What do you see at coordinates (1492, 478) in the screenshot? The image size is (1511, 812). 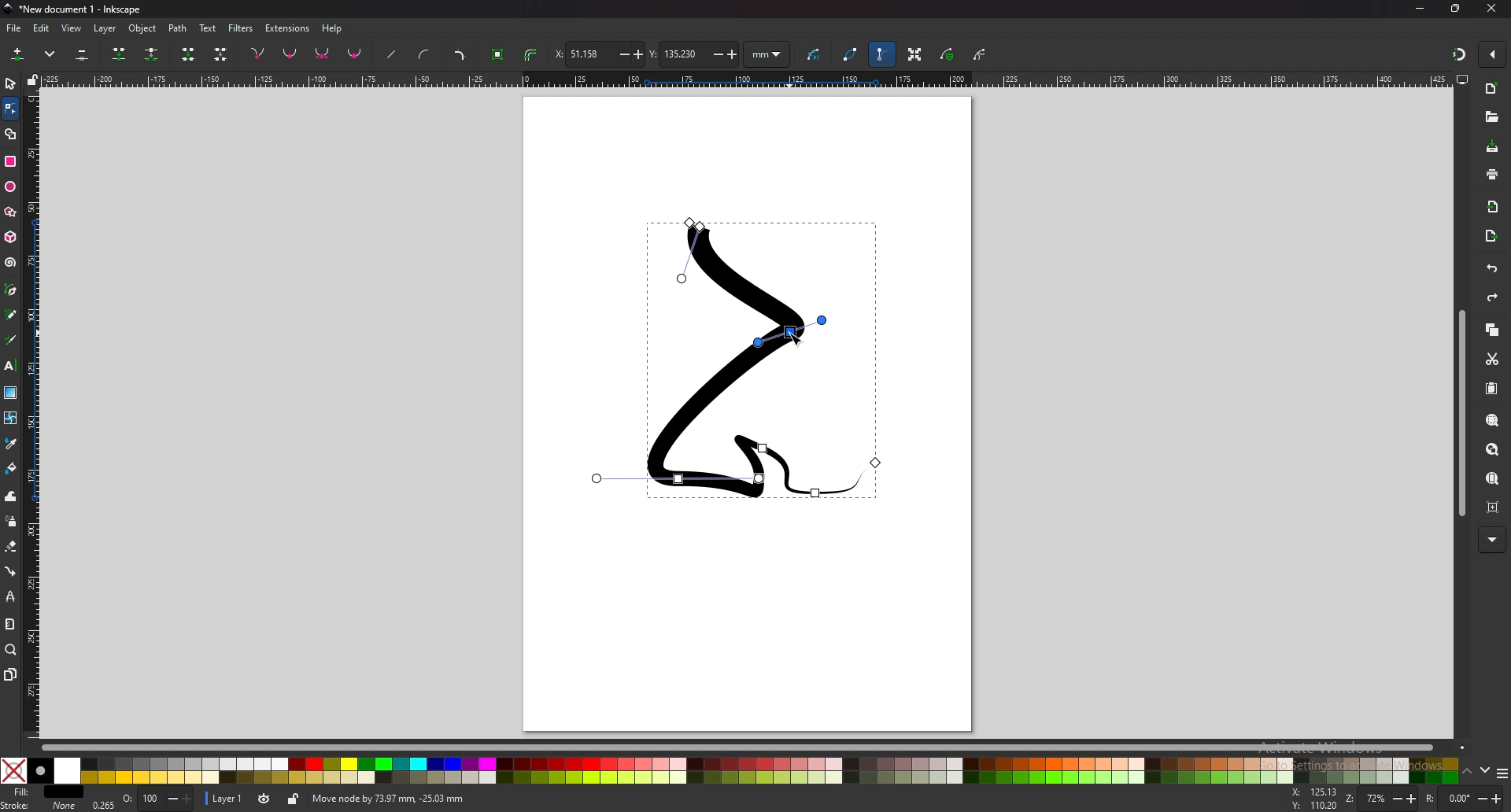 I see `zoom page` at bounding box center [1492, 478].